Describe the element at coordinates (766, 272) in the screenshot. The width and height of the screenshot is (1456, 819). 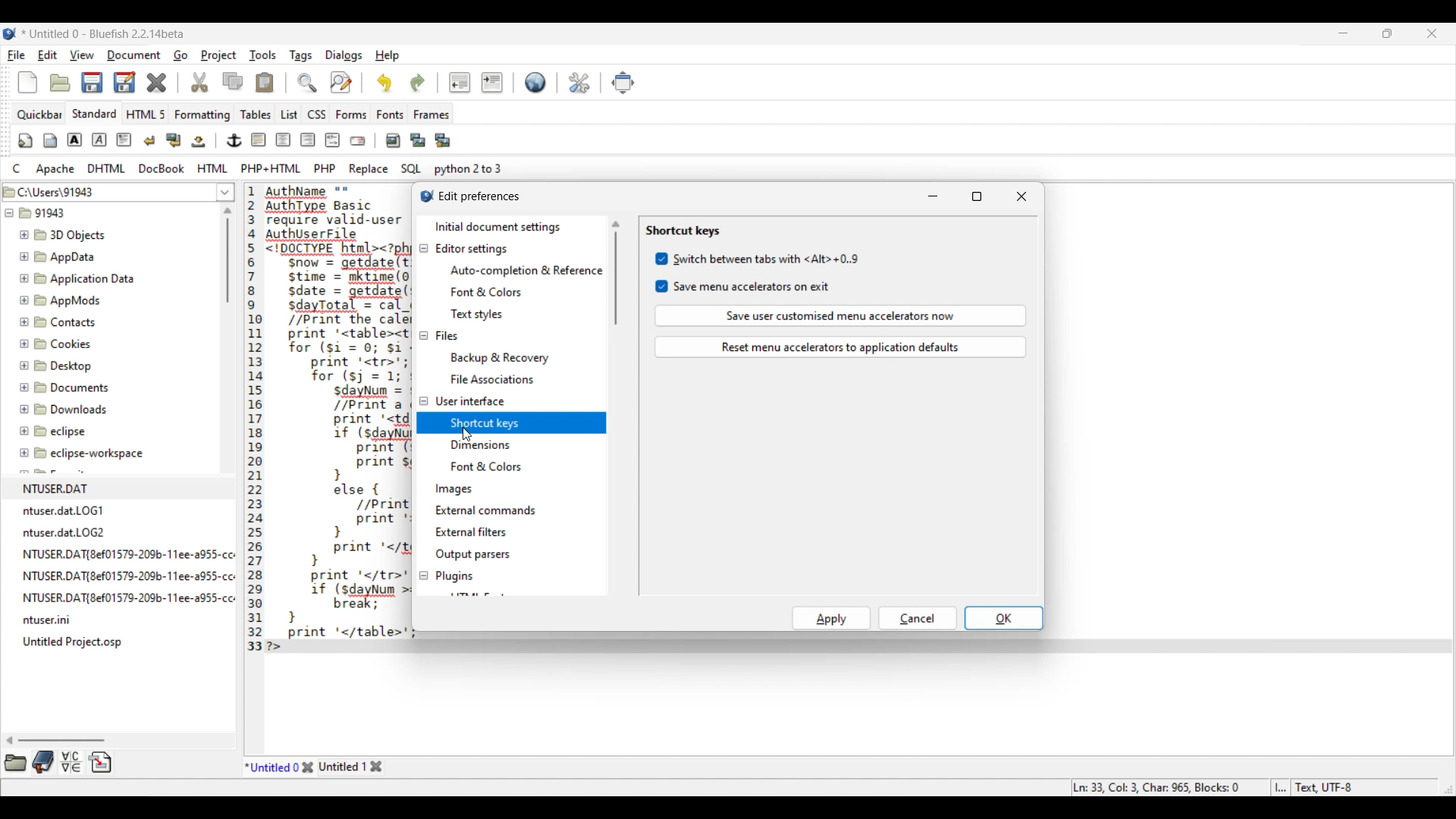
I see `Shortcut key toggle options` at that location.